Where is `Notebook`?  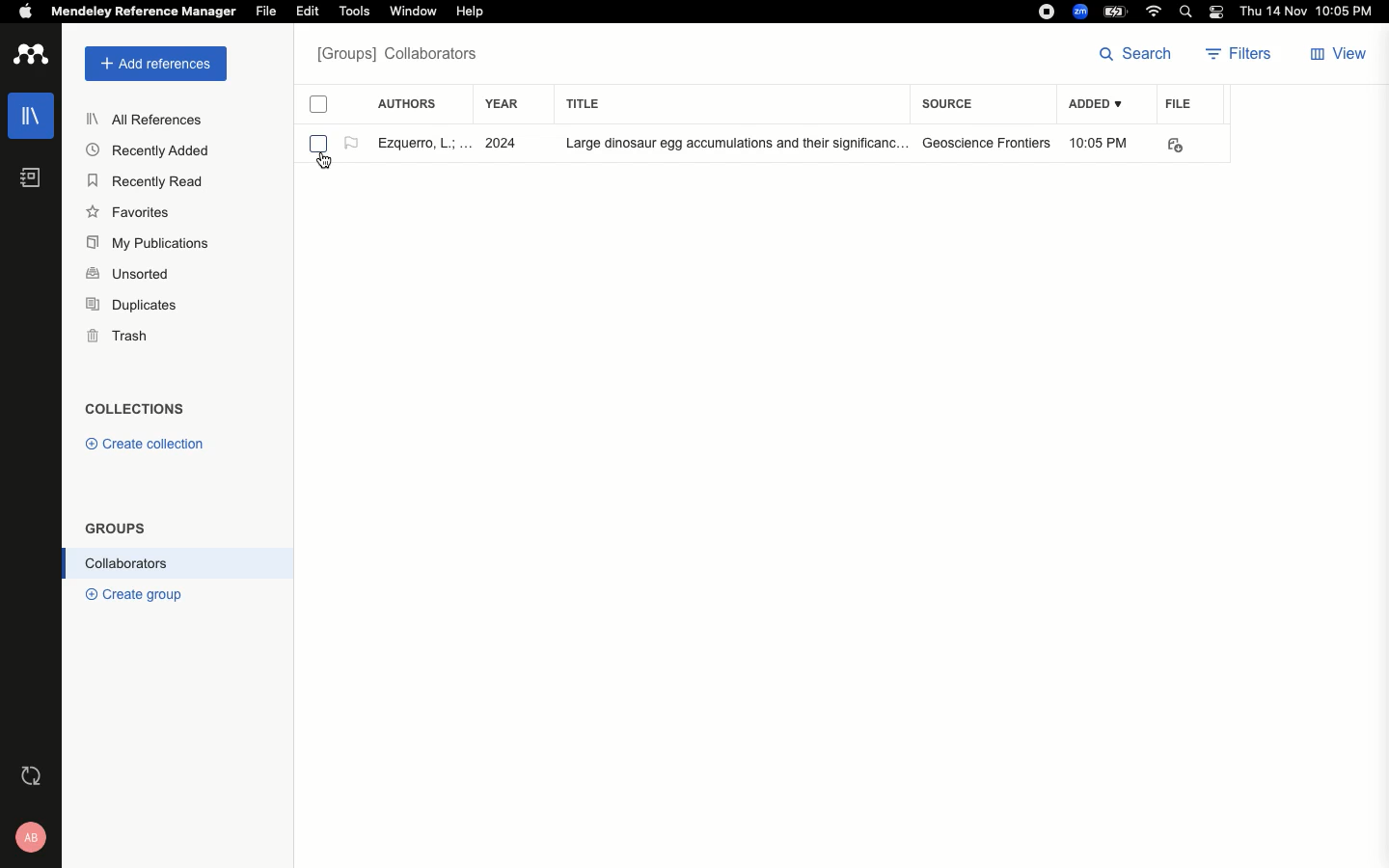
Notebook is located at coordinates (31, 178).